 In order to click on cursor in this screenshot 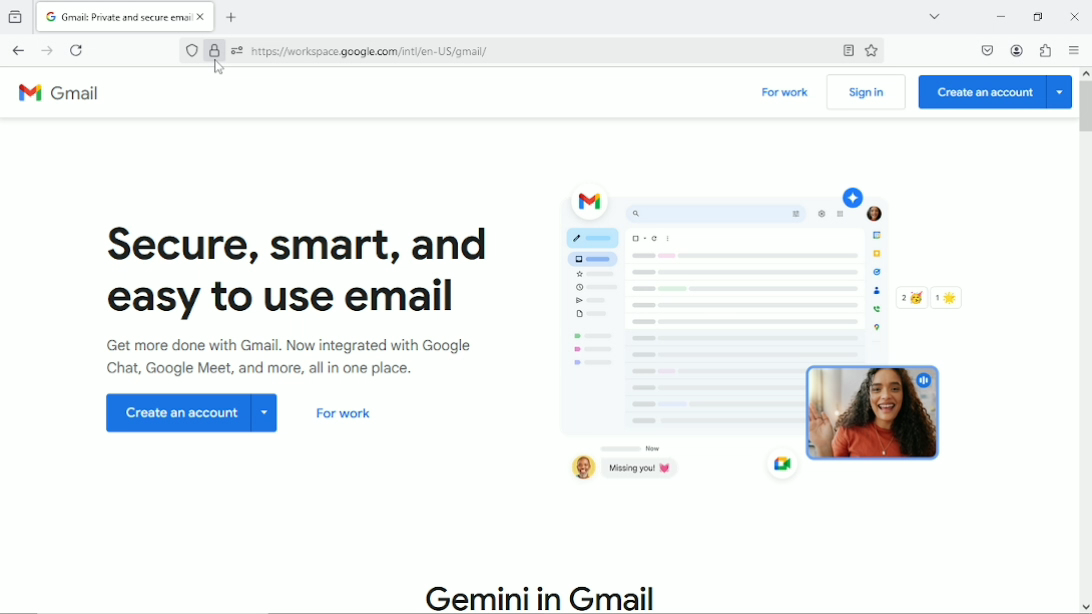, I will do `click(220, 67)`.